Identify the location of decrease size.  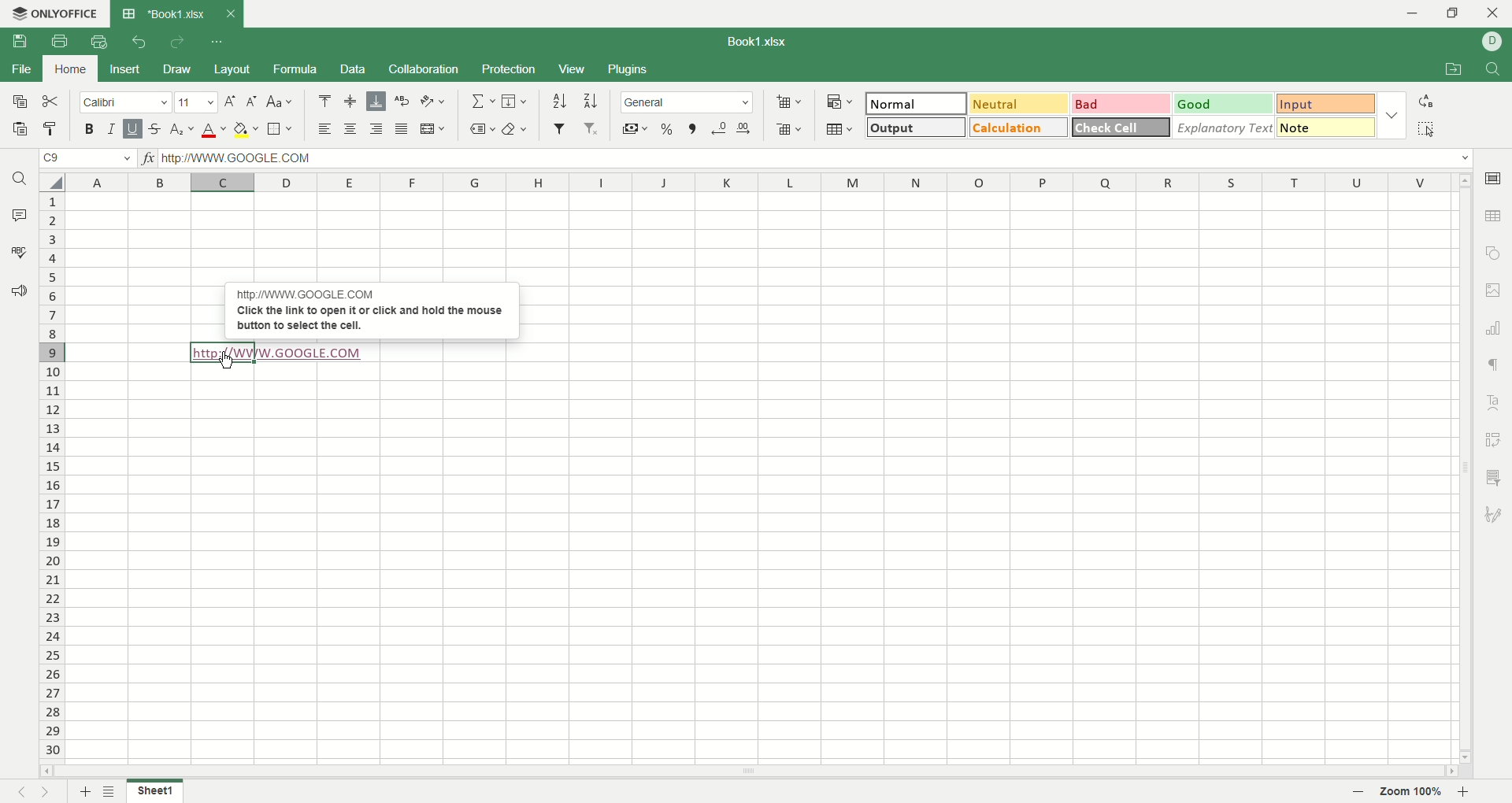
(254, 102).